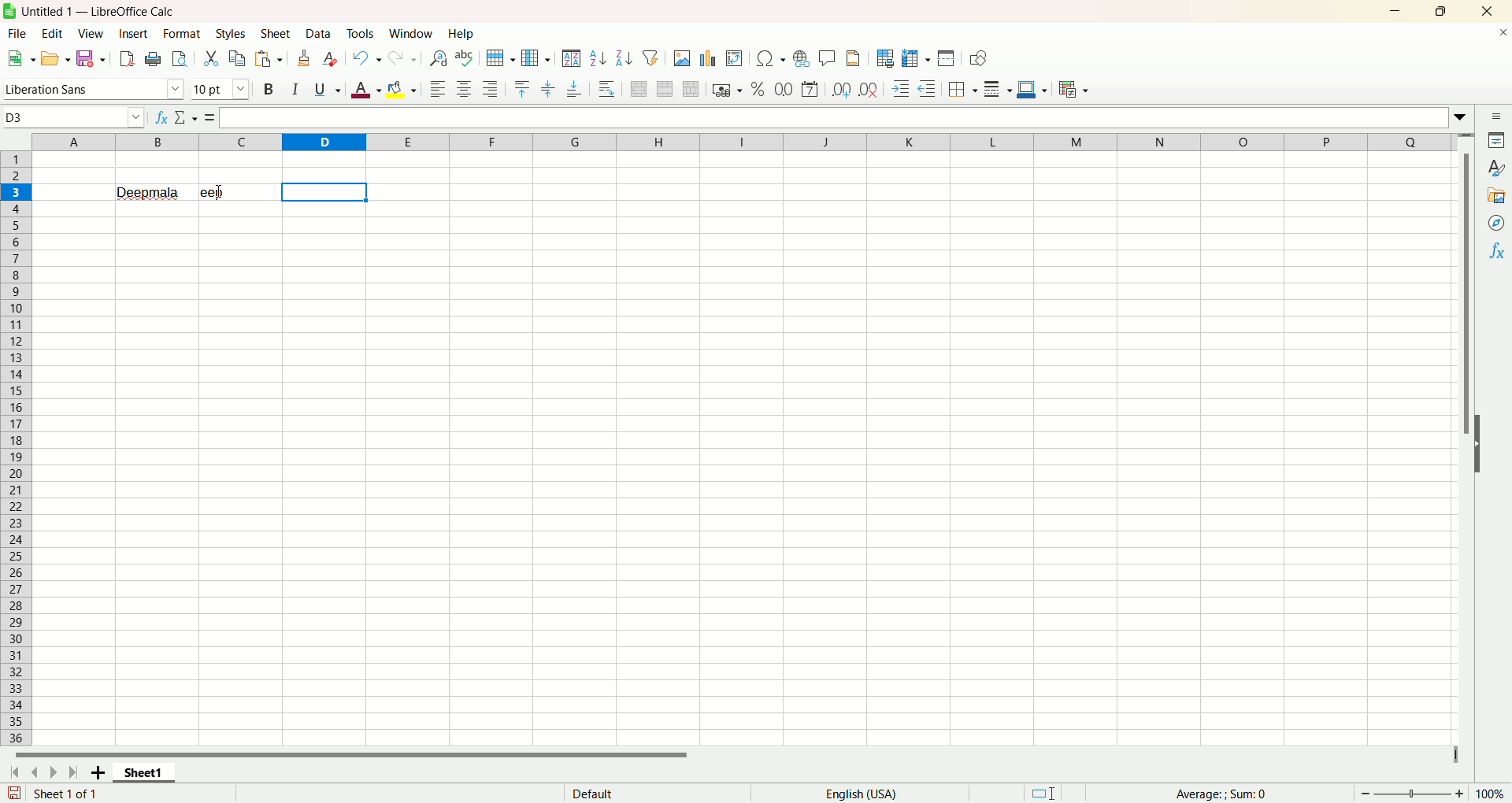 The height and width of the screenshot is (803, 1512). What do you see at coordinates (854, 57) in the screenshot?
I see `header and footer` at bounding box center [854, 57].